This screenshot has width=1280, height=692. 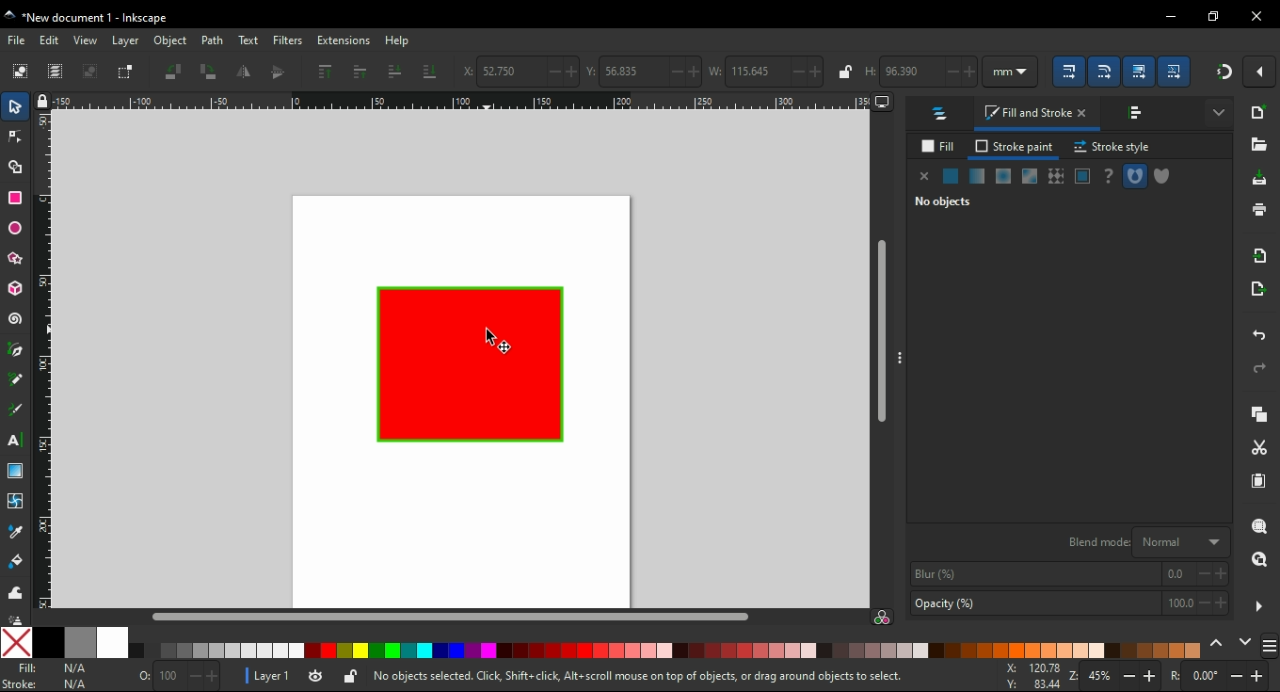 I want to click on zoom in/zoom out, so click(x=1072, y=676).